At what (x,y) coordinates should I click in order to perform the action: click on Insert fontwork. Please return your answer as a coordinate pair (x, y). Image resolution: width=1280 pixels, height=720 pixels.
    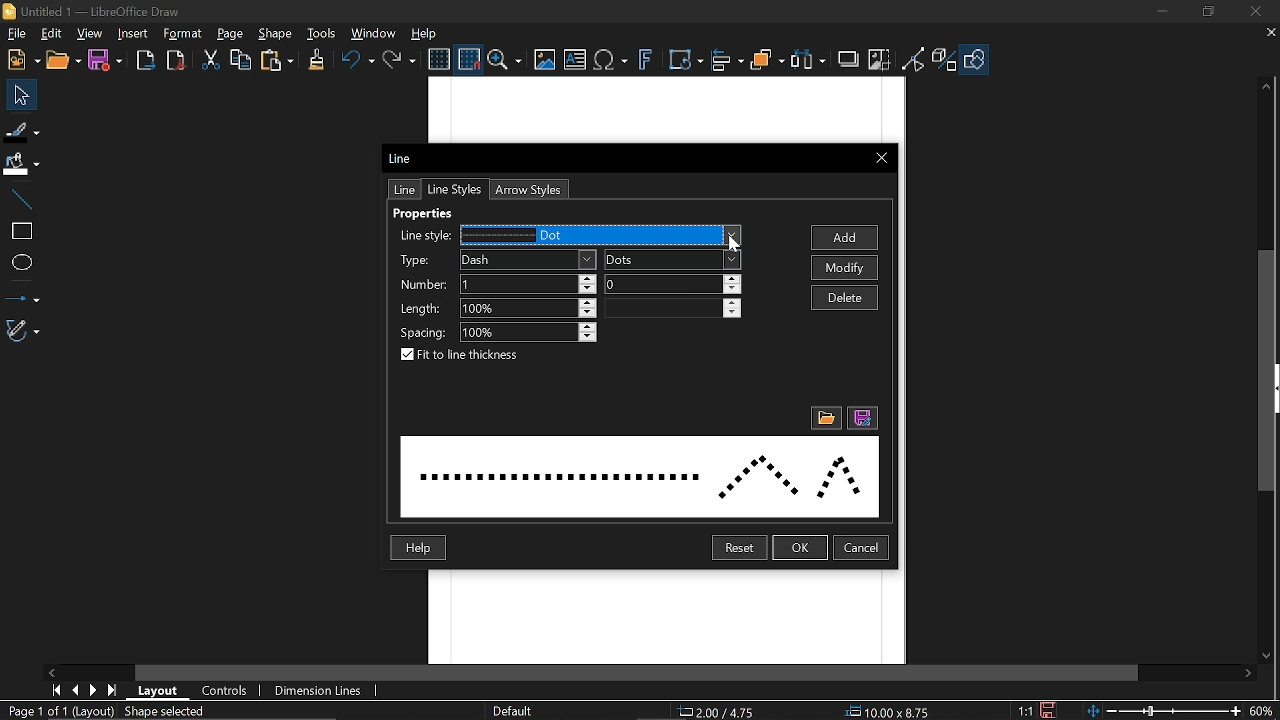
    Looking at the image, I should click on (646, 61).